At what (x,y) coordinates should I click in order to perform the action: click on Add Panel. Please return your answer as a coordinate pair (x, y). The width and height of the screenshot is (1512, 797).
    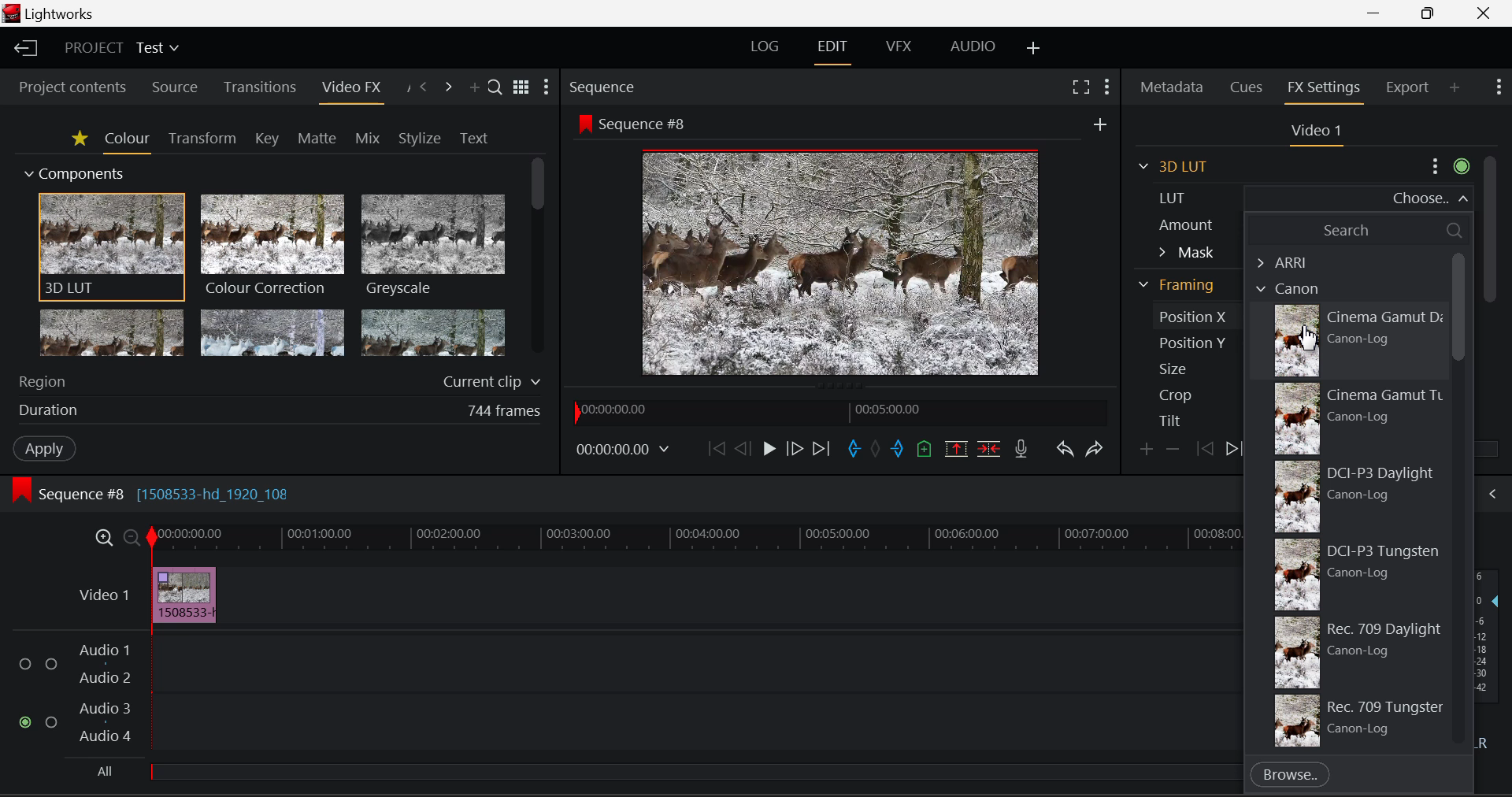
    Looking at the image, I should click on (474, 85).